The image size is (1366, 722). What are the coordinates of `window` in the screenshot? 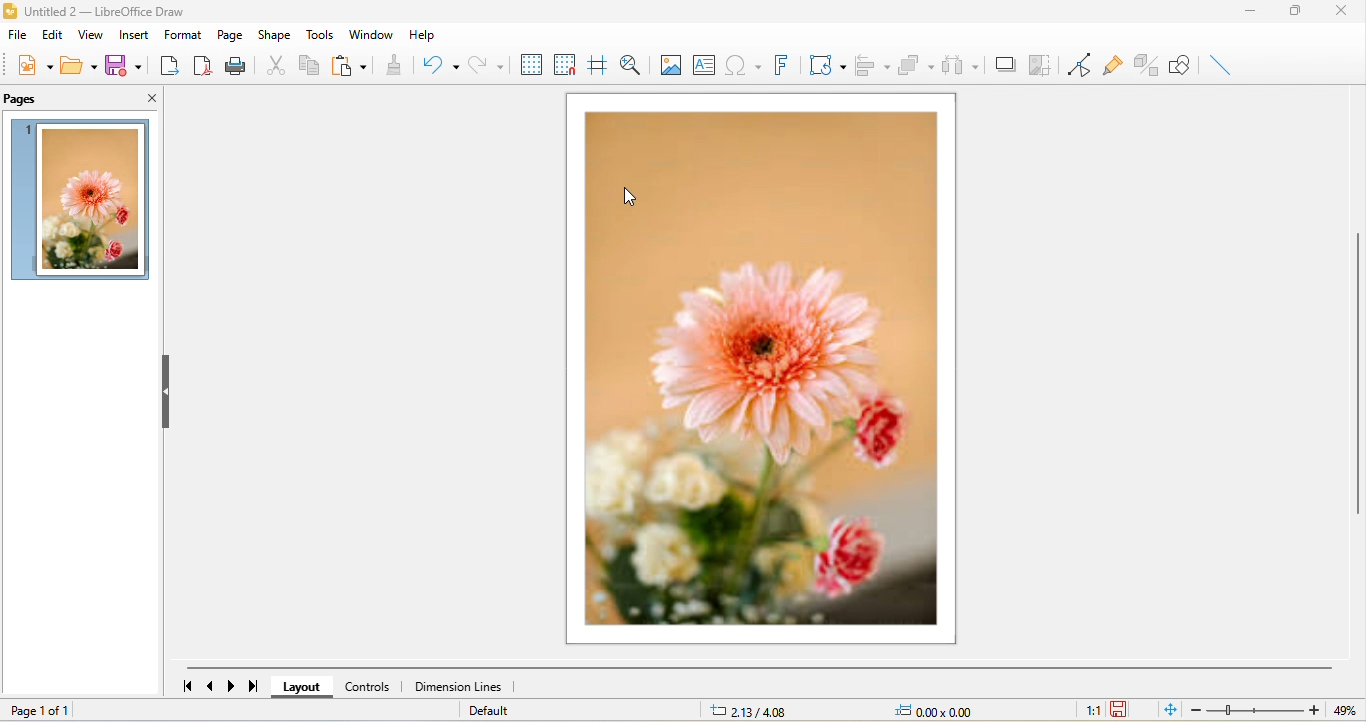 It's located at (374, 34).